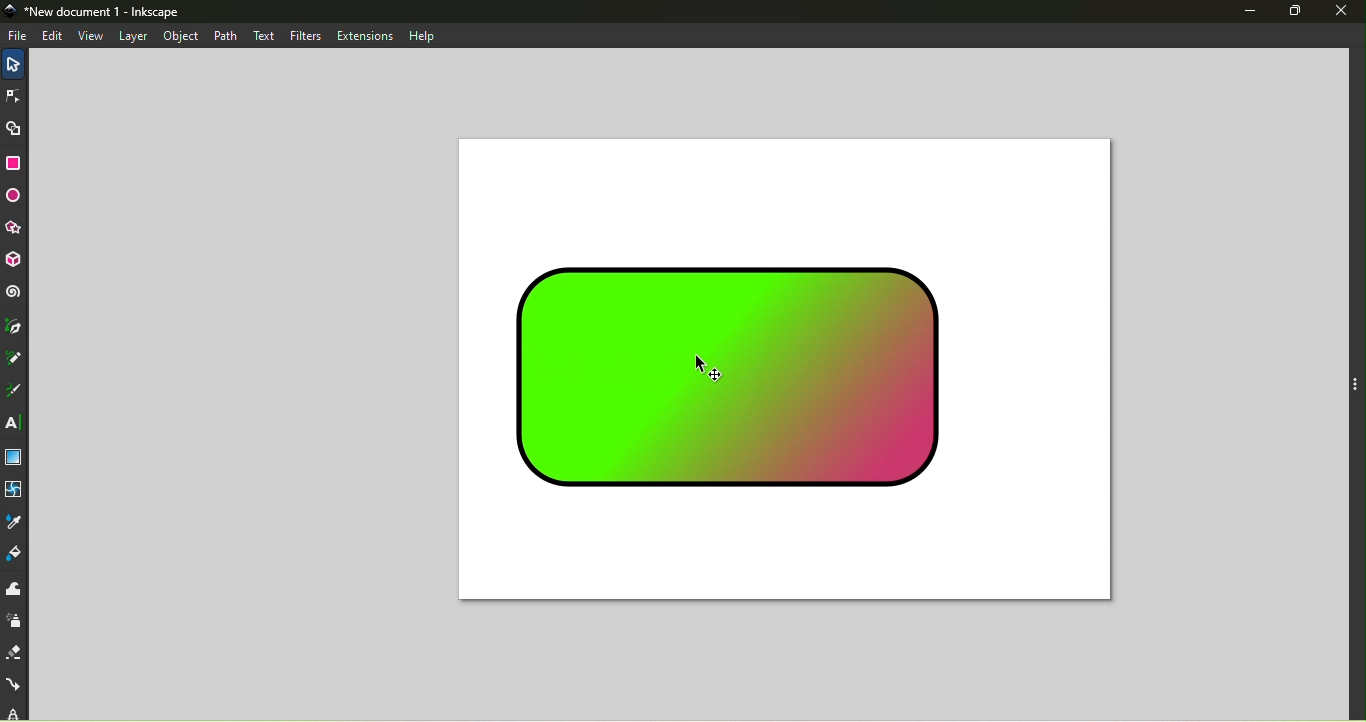 Image resolution: width=1366 pixels, height=722 pixels. Describe the element at coordinates (134, 37) in the screenshot. I see `Layer` at that location.